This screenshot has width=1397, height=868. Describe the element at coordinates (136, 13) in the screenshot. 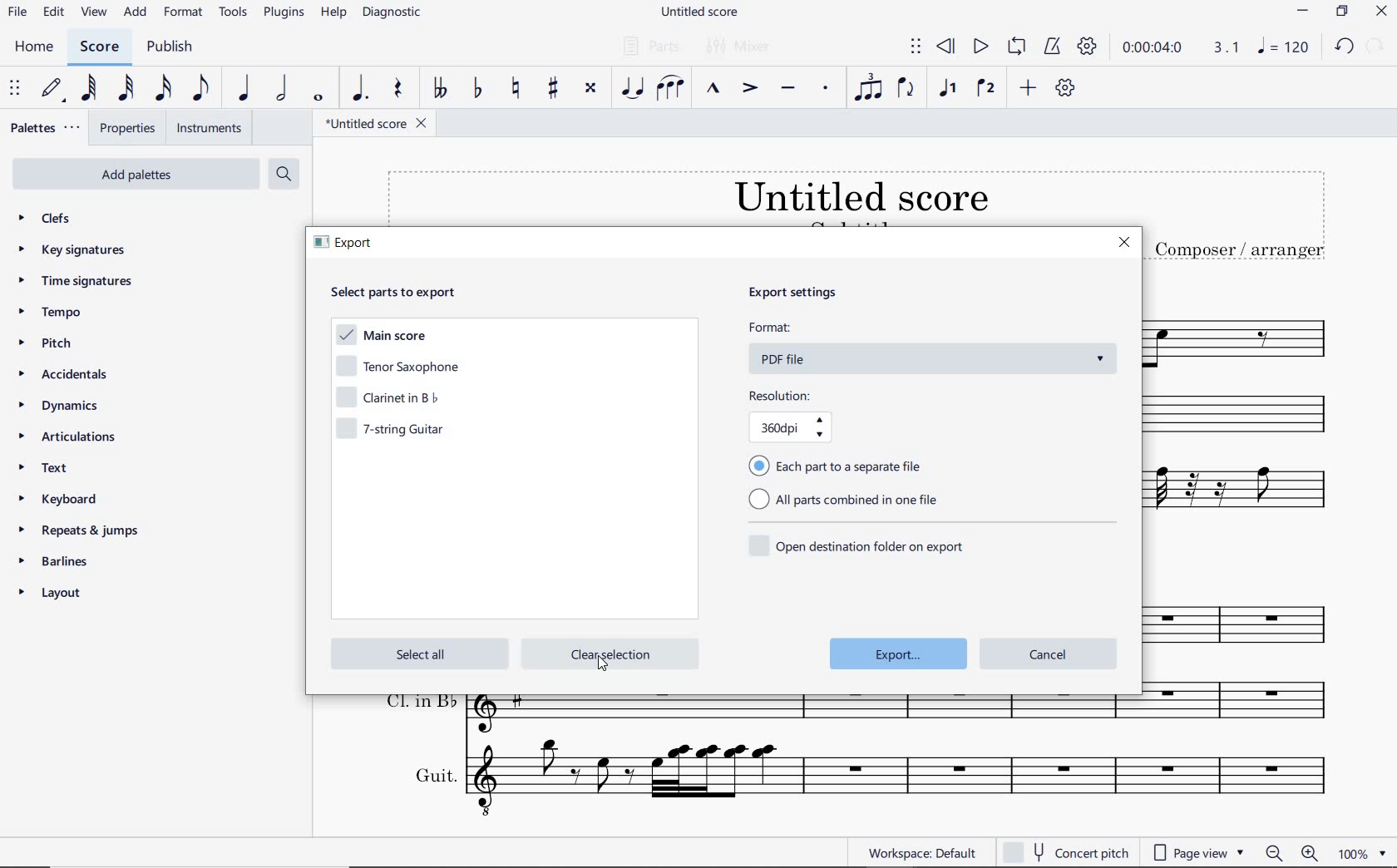

I see `ADD` at that location.